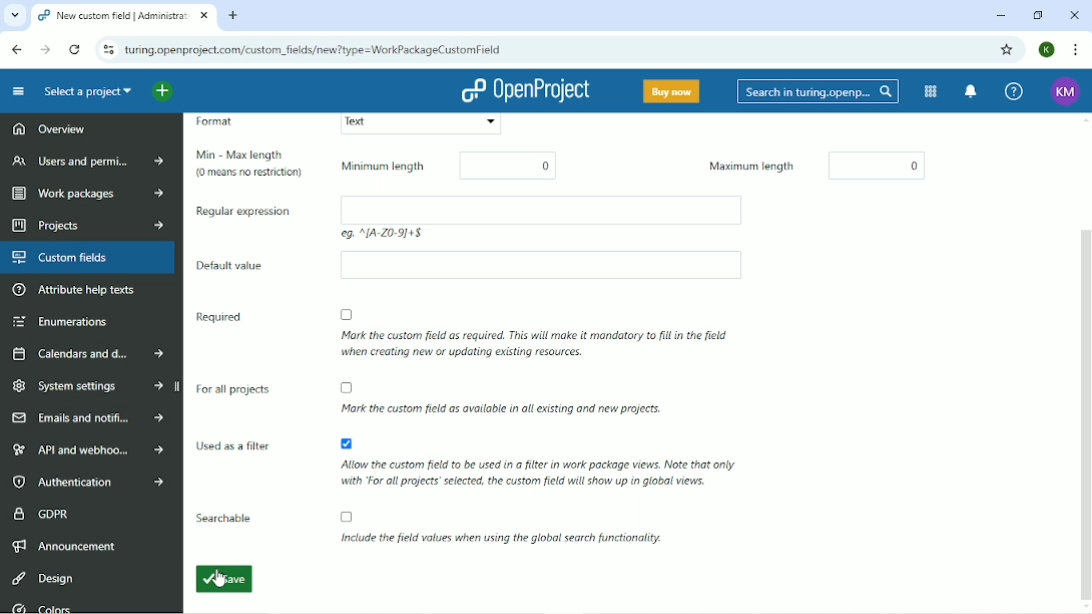 The width and height of the screenshot is (1092, 614). What do you see at coordinates (874, 166) in the screenshot?
I see `-` at bounding box center [874, 166].